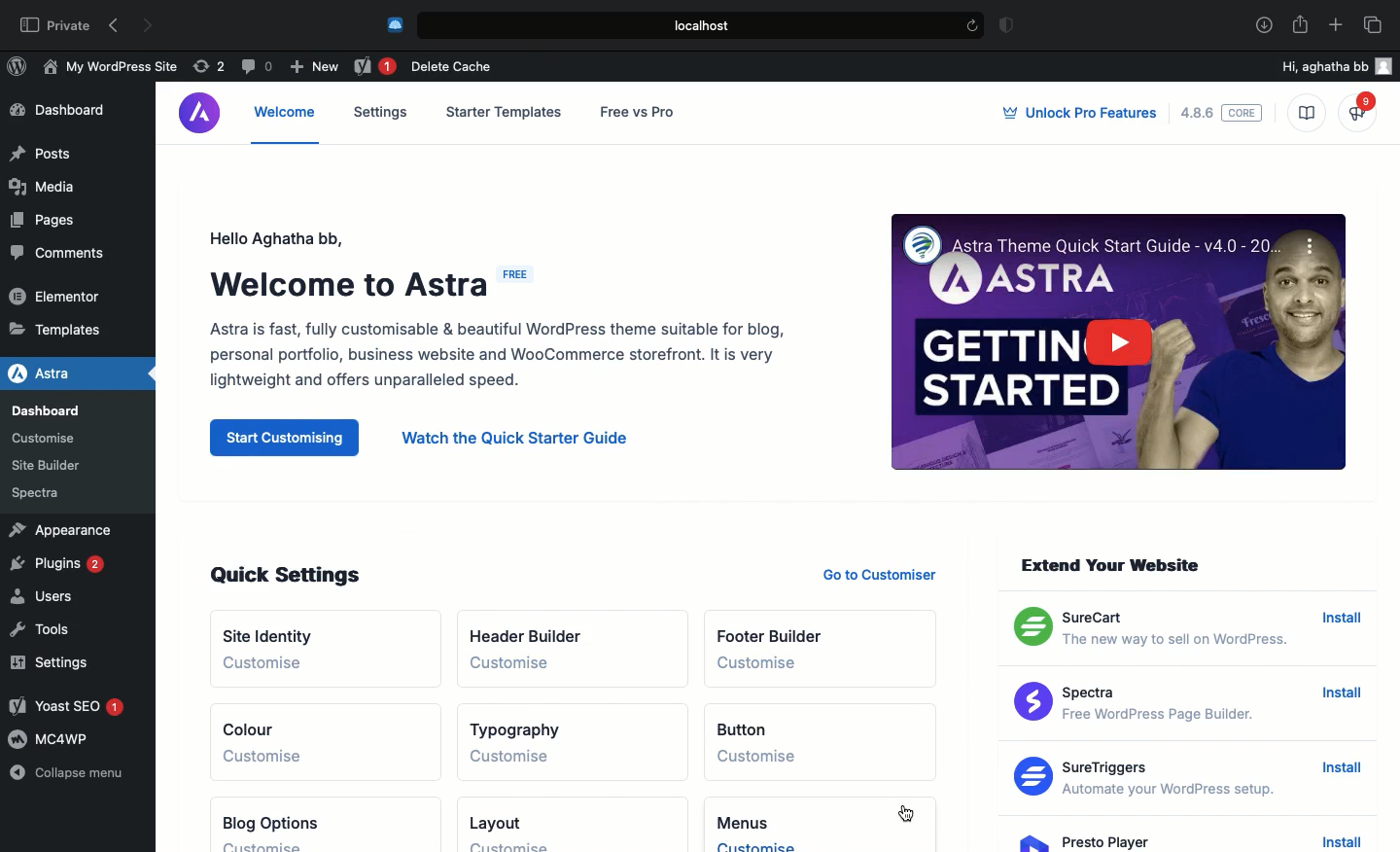 The width and height of the screenshot is (1400, 852). Describe the element at coordinates (1366, 108) in the screenshot. I see `What's new` at that location.